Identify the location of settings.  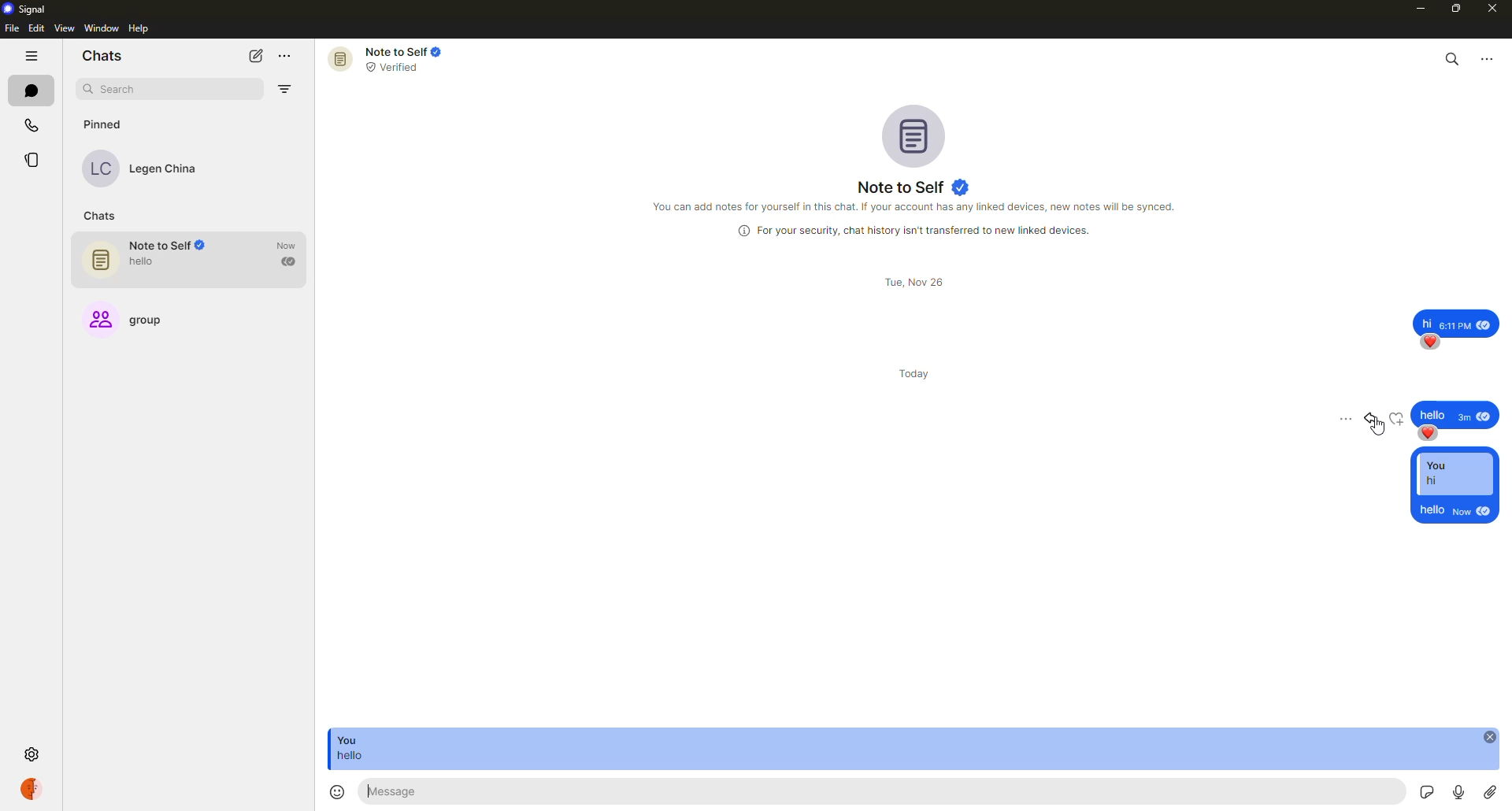
(33, 752).